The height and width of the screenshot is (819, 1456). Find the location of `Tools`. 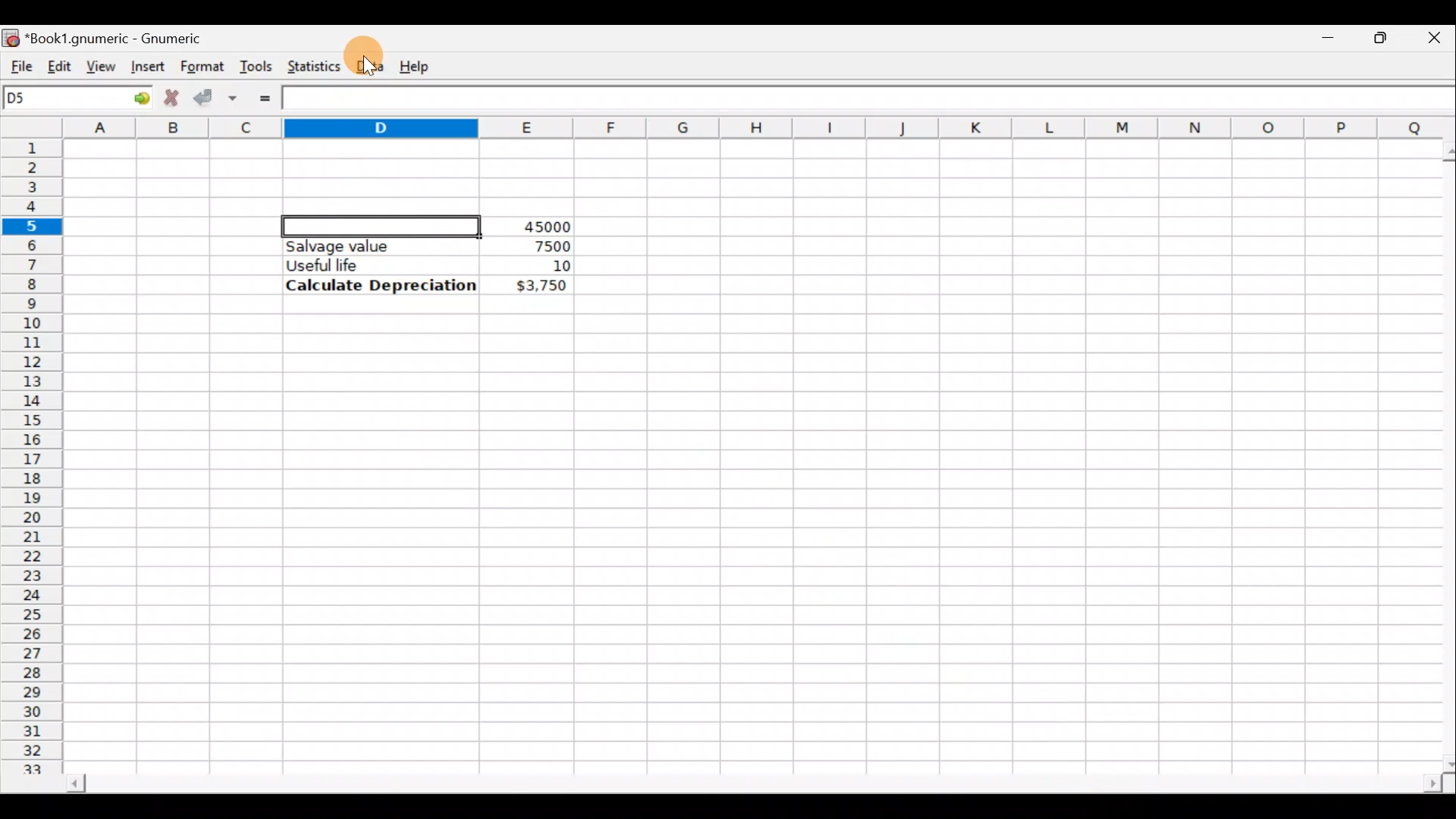

Tools is located at coordinates (256, 65).